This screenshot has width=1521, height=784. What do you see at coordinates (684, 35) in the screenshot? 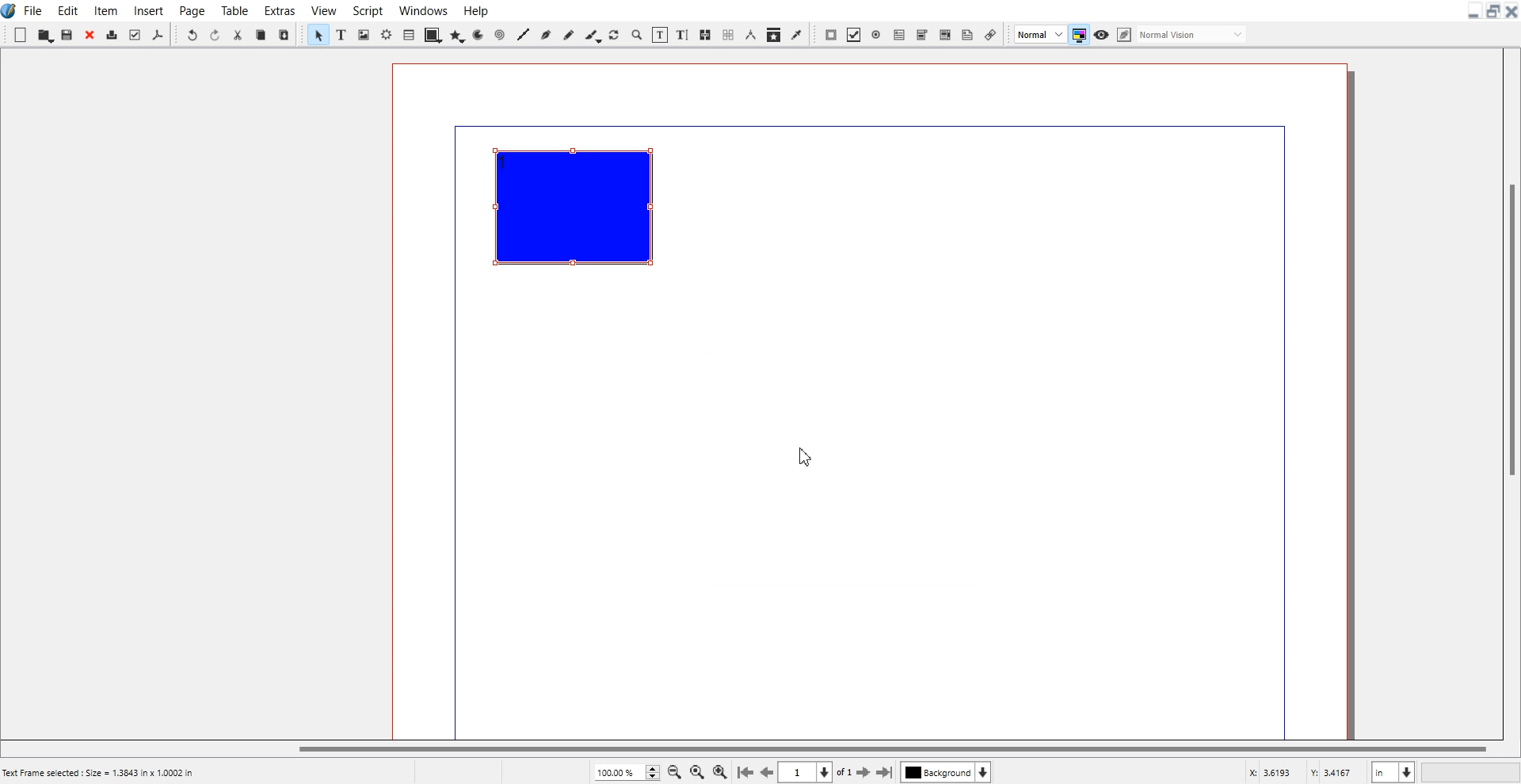
I see `Edit Text` at bounding box center [684, 35].